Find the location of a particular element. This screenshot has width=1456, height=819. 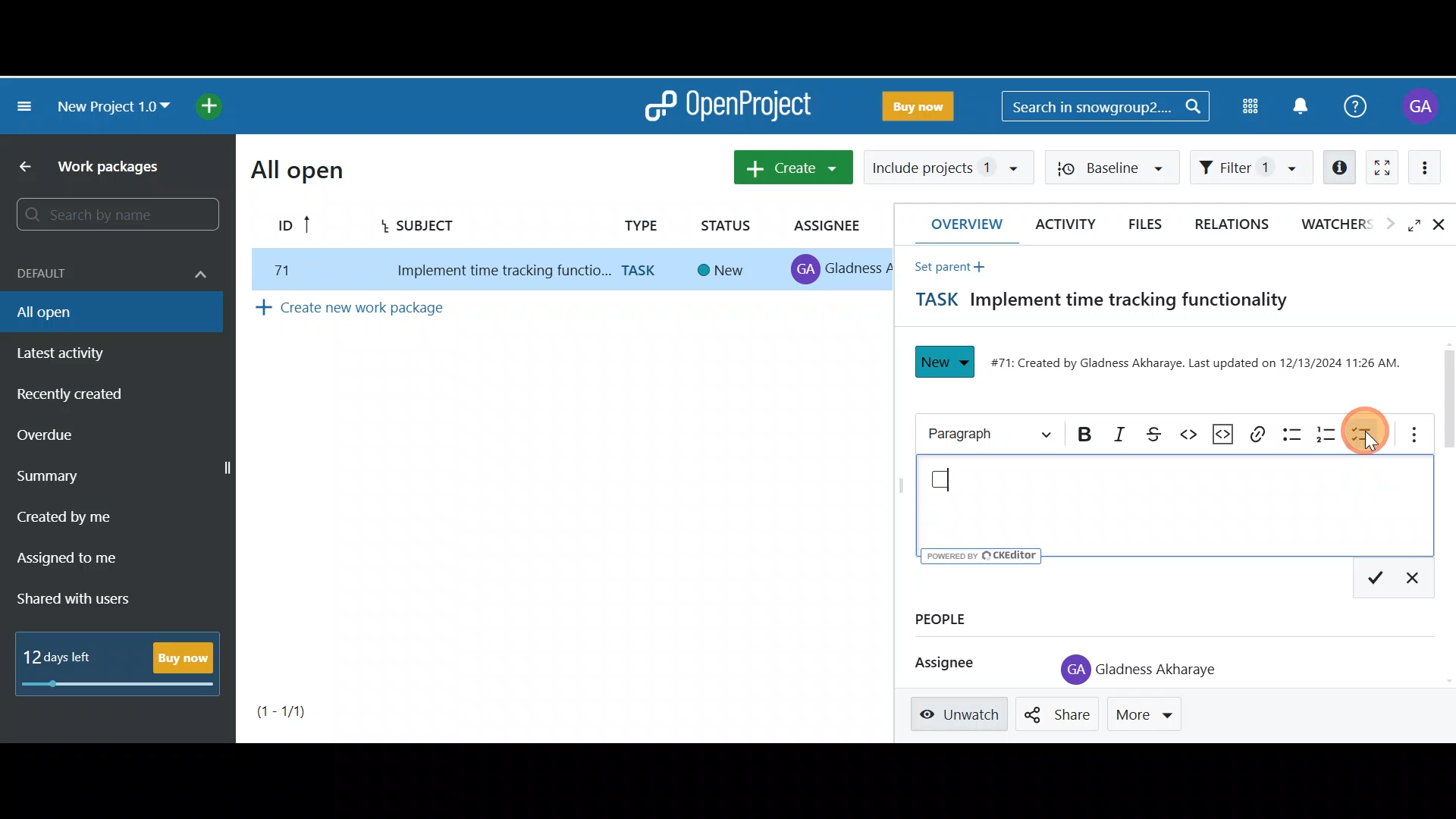

Type is located at coordinates (638, 224).